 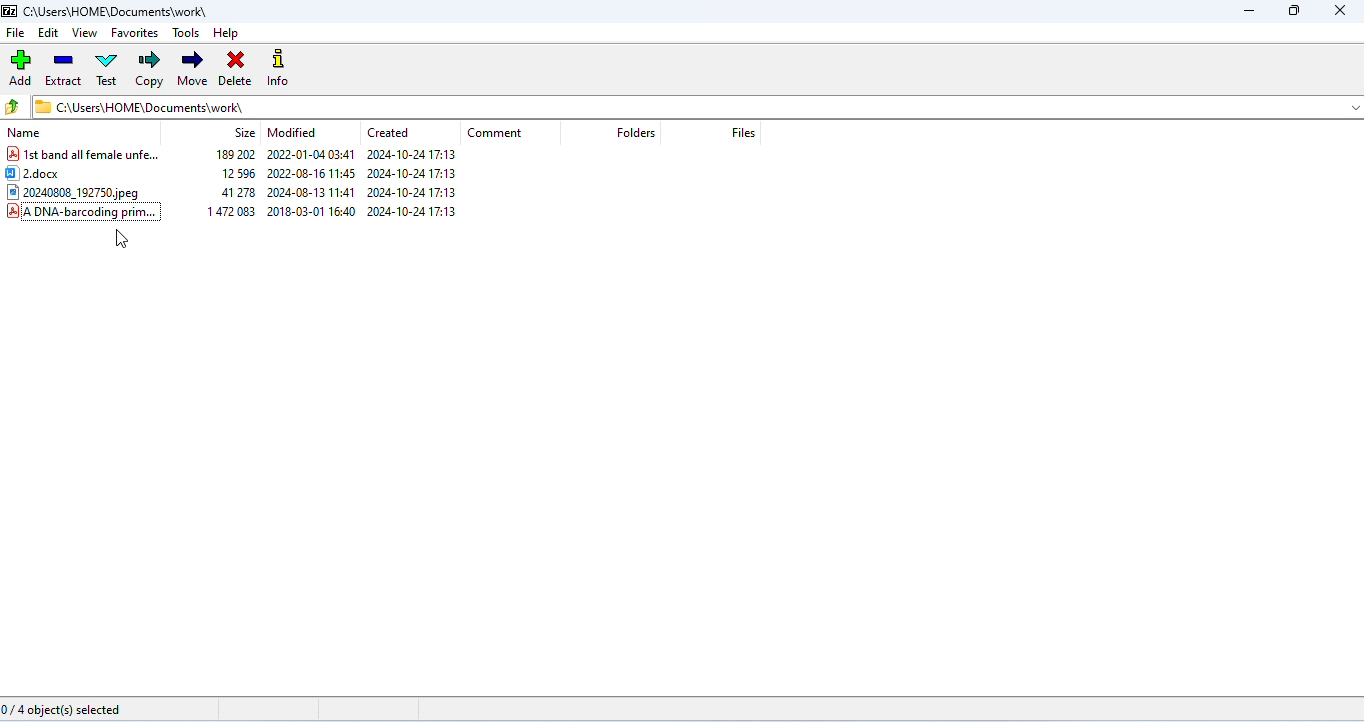 I want to click on extract, so click(x=63, y=69).